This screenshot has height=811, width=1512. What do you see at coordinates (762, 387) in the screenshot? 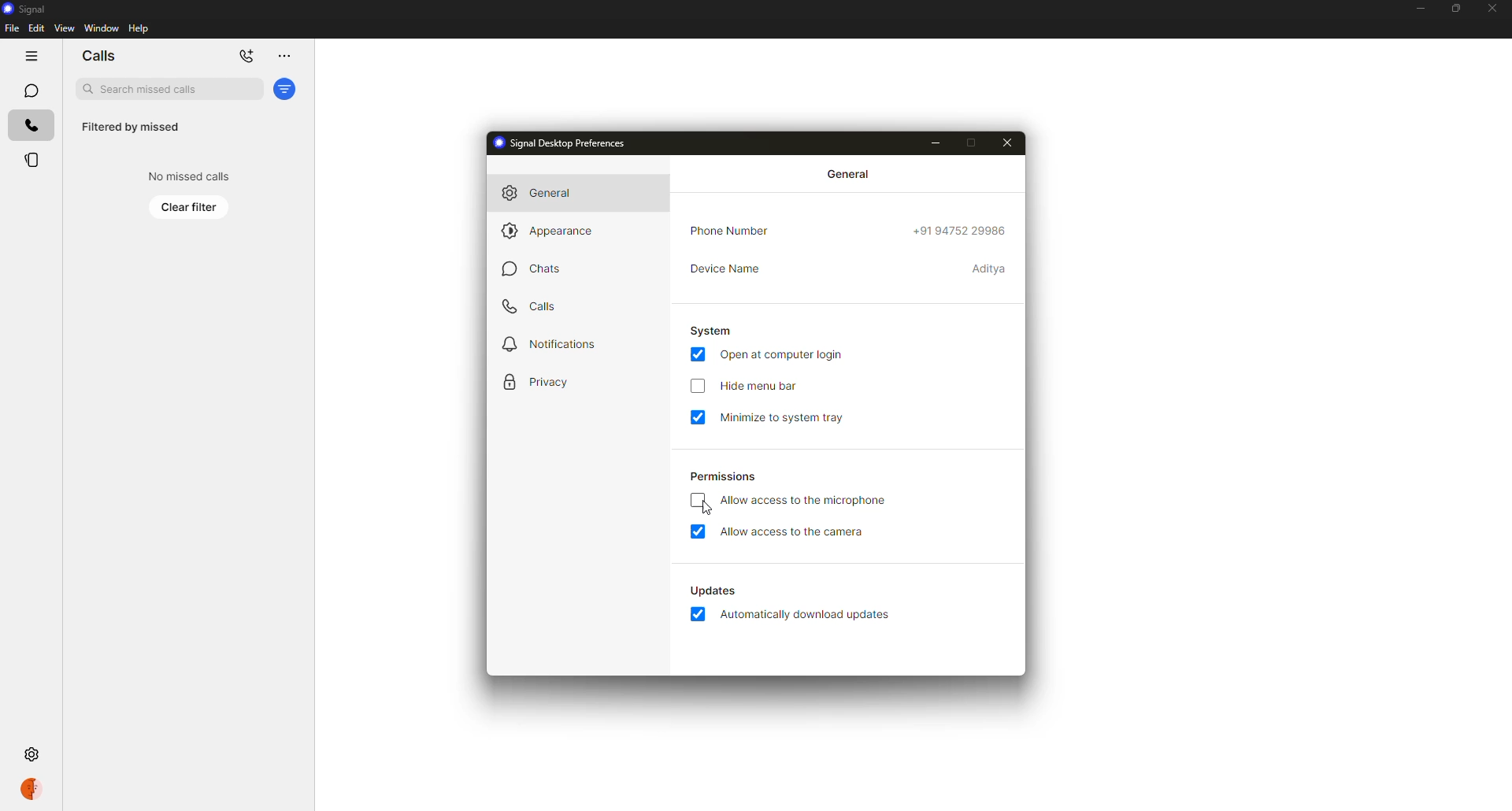
I see `hide menu bar` at bounding box center [762, 387].